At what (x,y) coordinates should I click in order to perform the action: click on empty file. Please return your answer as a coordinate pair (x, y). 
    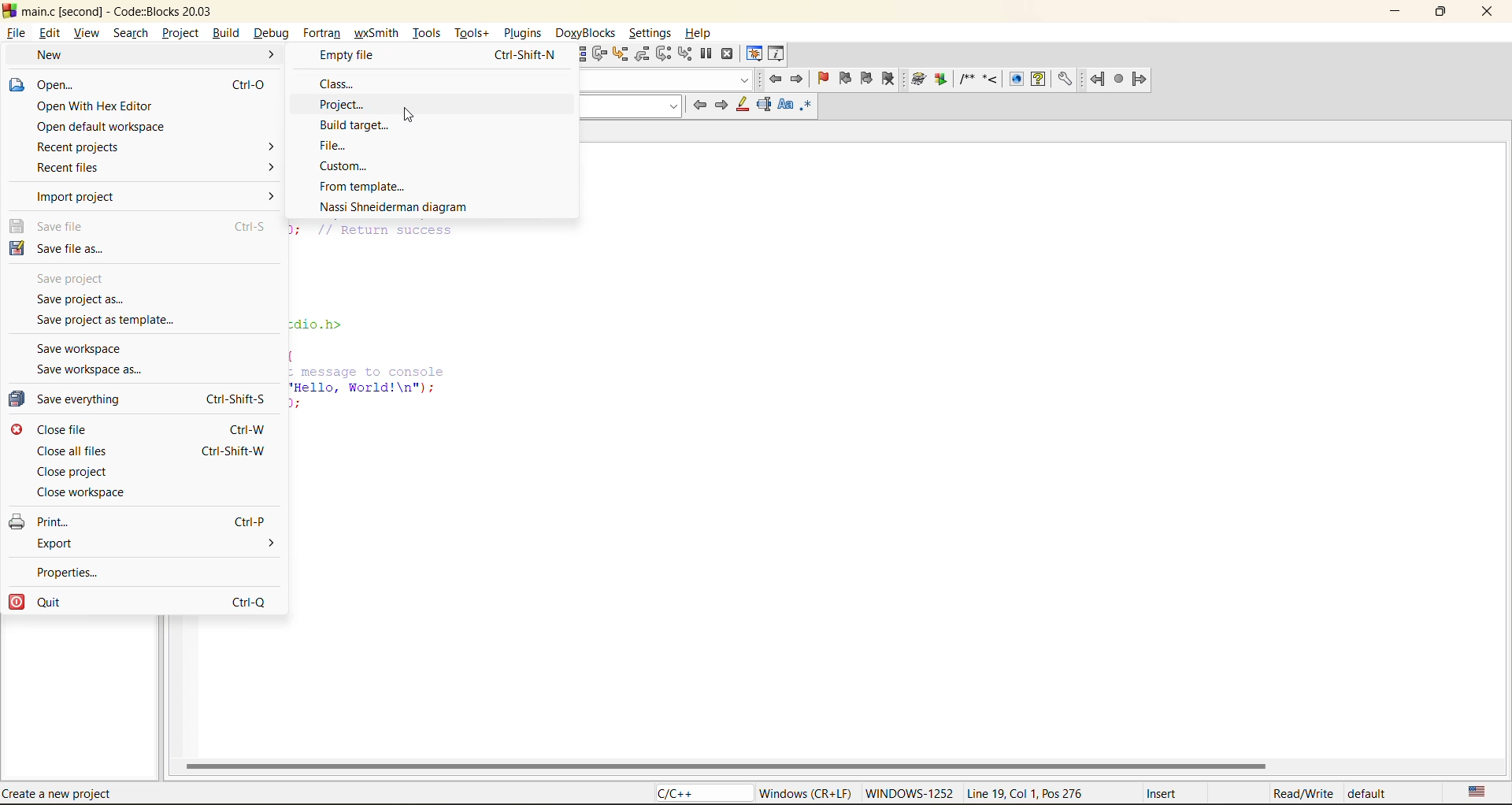
    Looking at the image, I should click on (429, 54).